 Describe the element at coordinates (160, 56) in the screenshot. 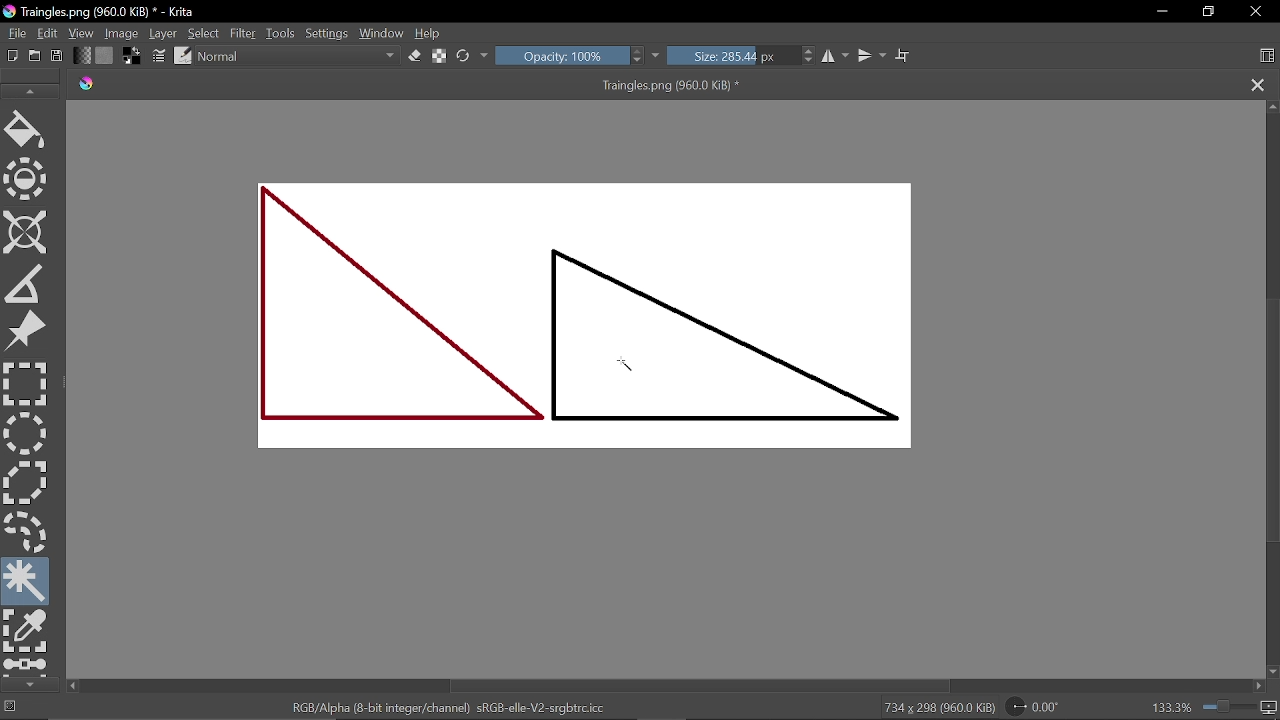

I see `Edit brush settings` at that location.